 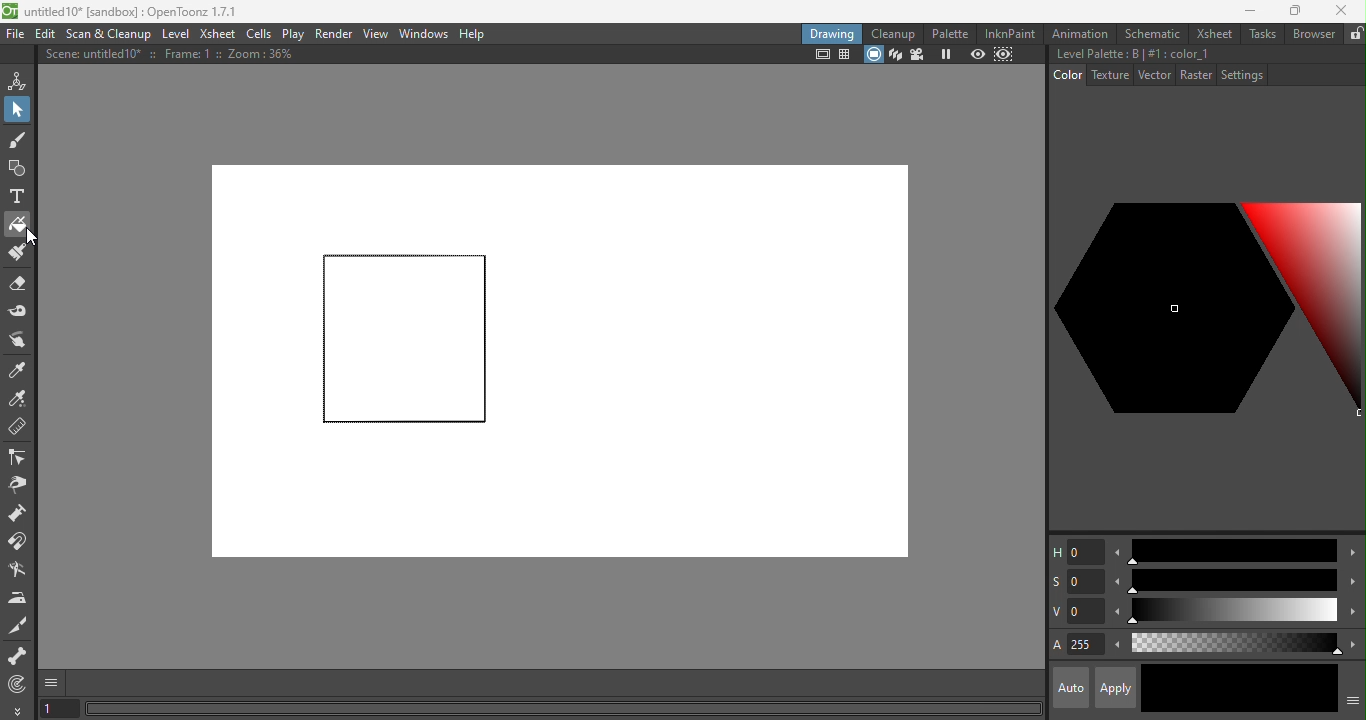 What do you see at coordinates (559, 364) in the screenshot?
I see `Canvas` at bounding box center [559, 364].